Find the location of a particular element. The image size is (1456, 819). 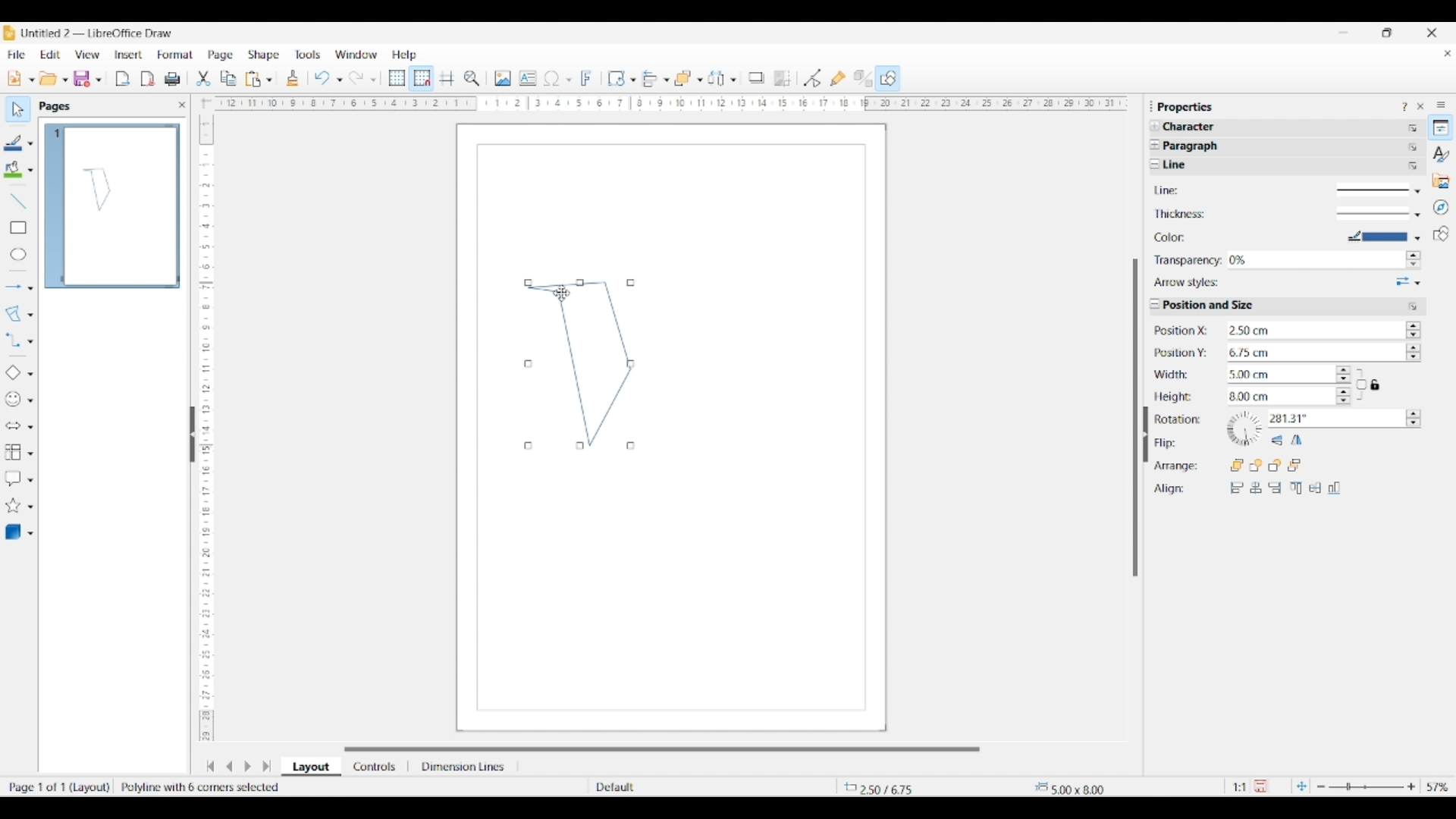

Insert fontwork text is located at coordinates (587, 78).